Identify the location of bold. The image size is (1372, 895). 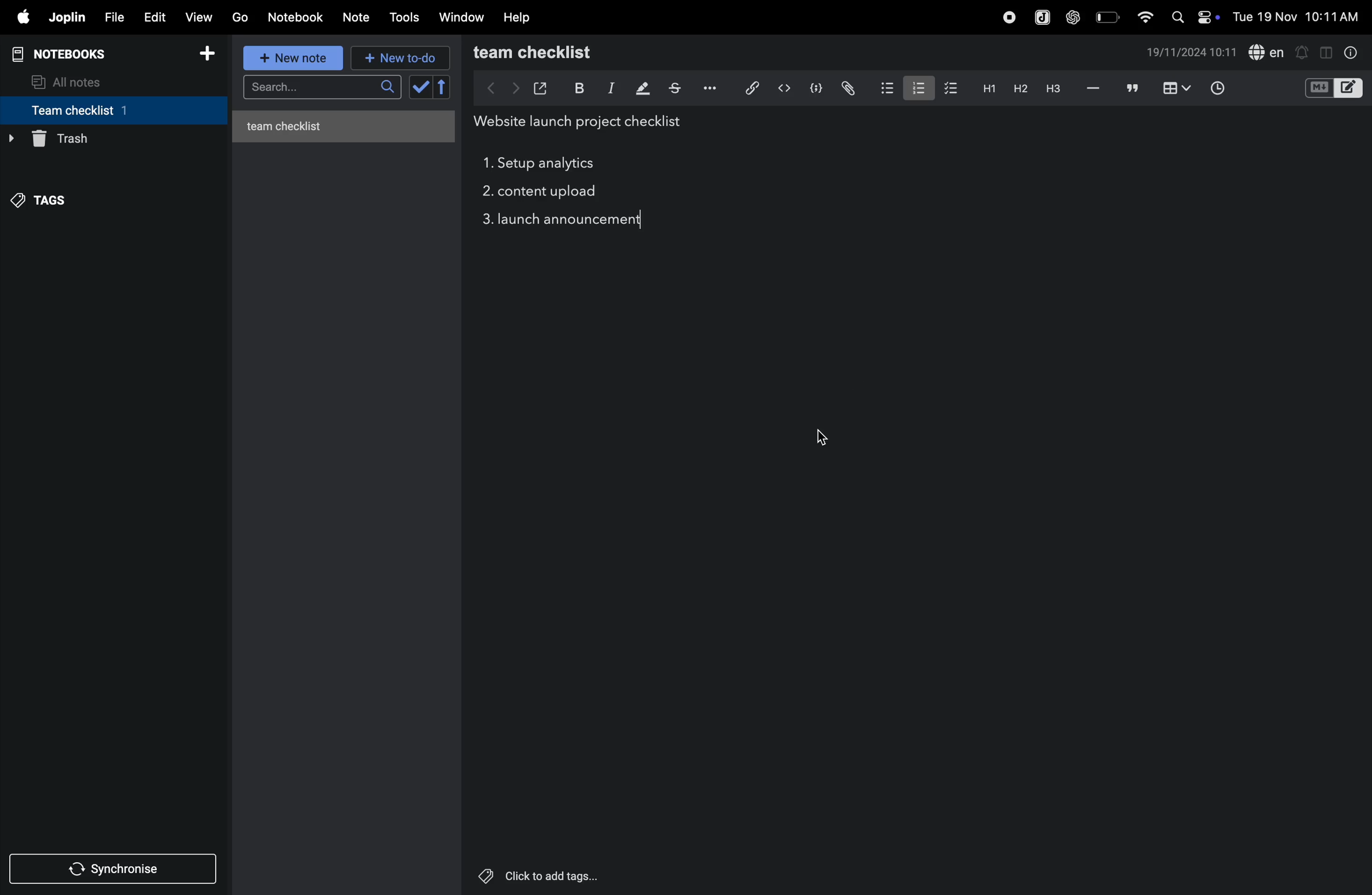
(578, 87).